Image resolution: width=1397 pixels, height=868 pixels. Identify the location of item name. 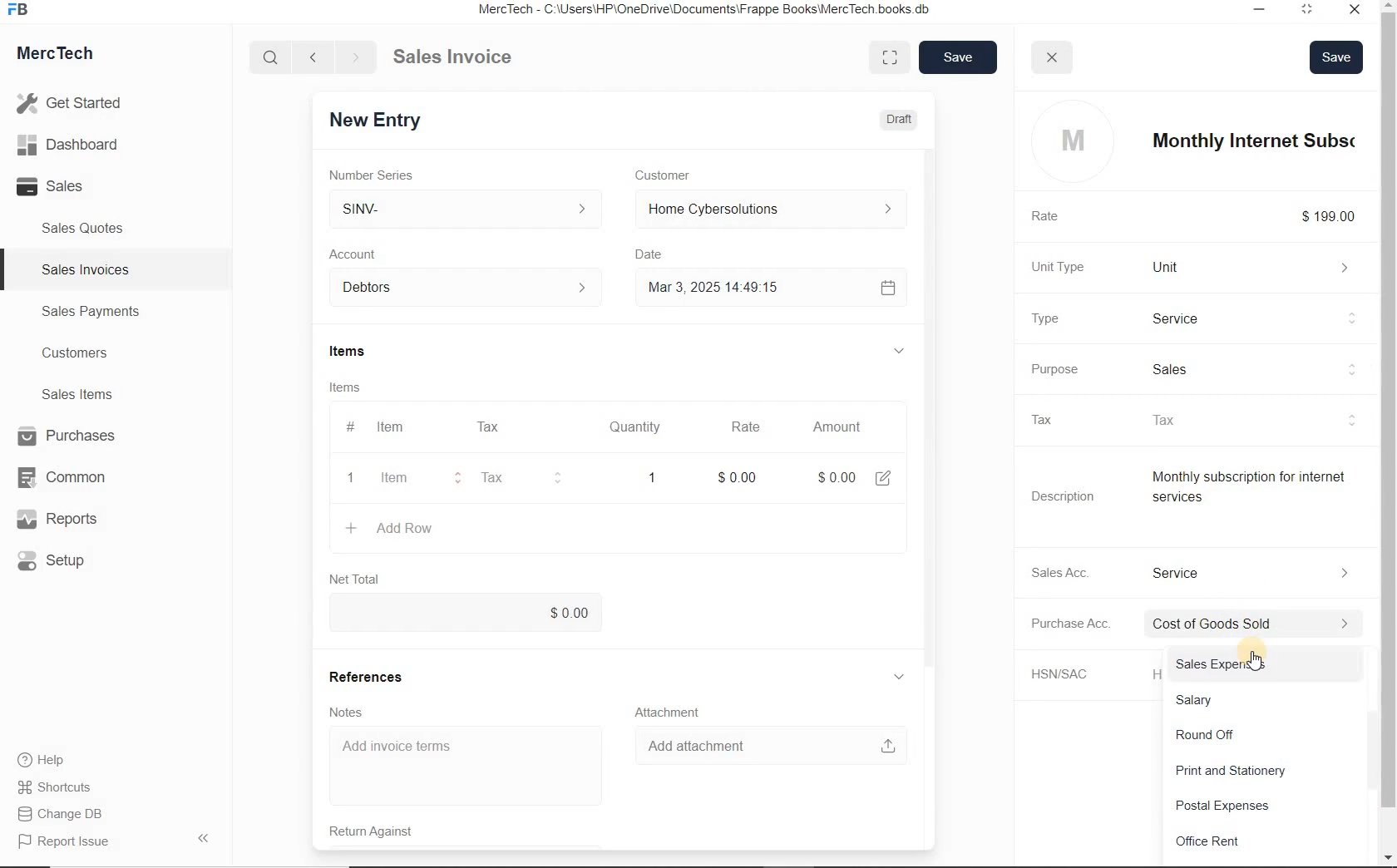
(1263, 141).